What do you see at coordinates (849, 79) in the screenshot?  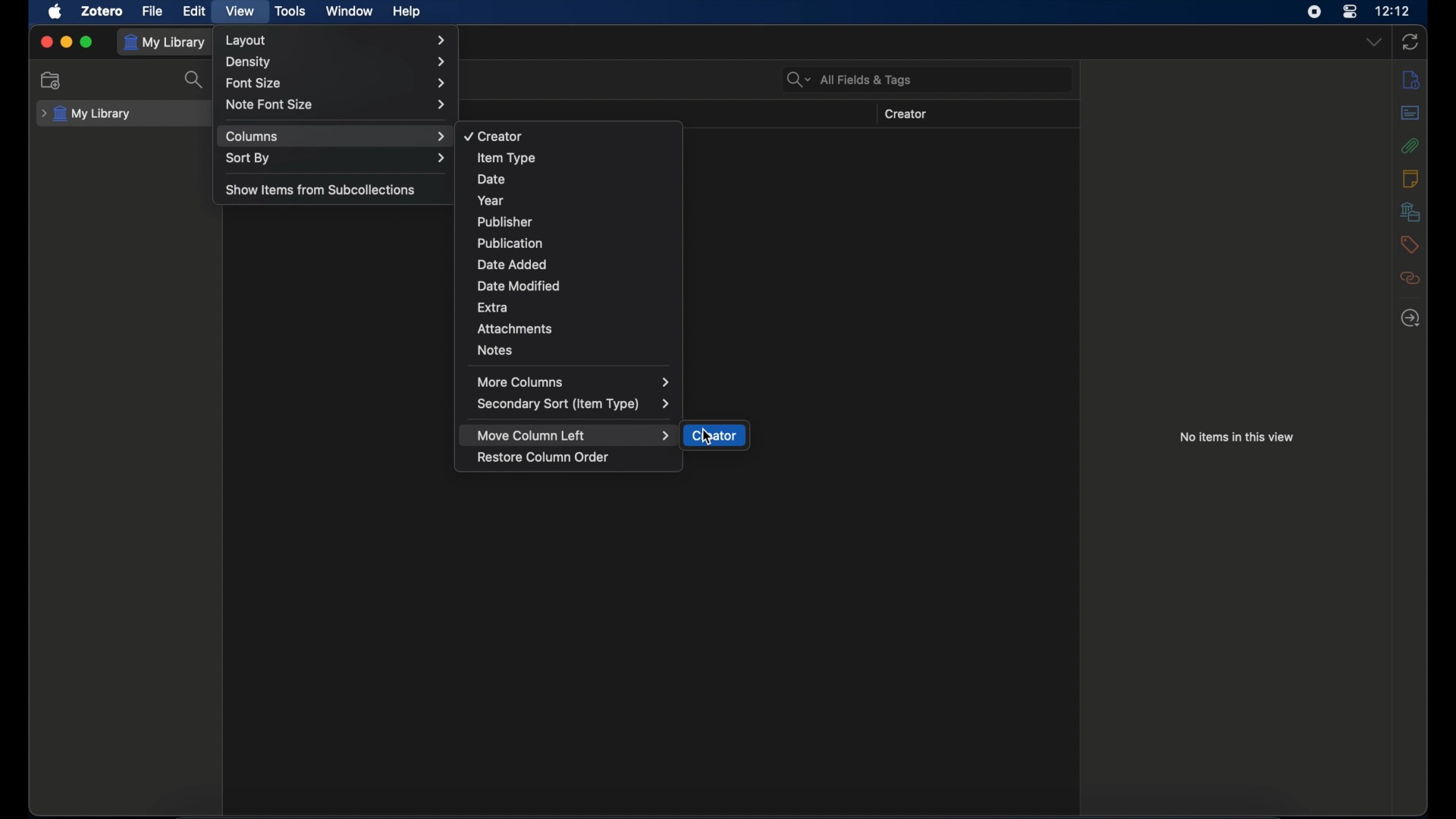 I see `search bar` at bounding box center [849, 79].